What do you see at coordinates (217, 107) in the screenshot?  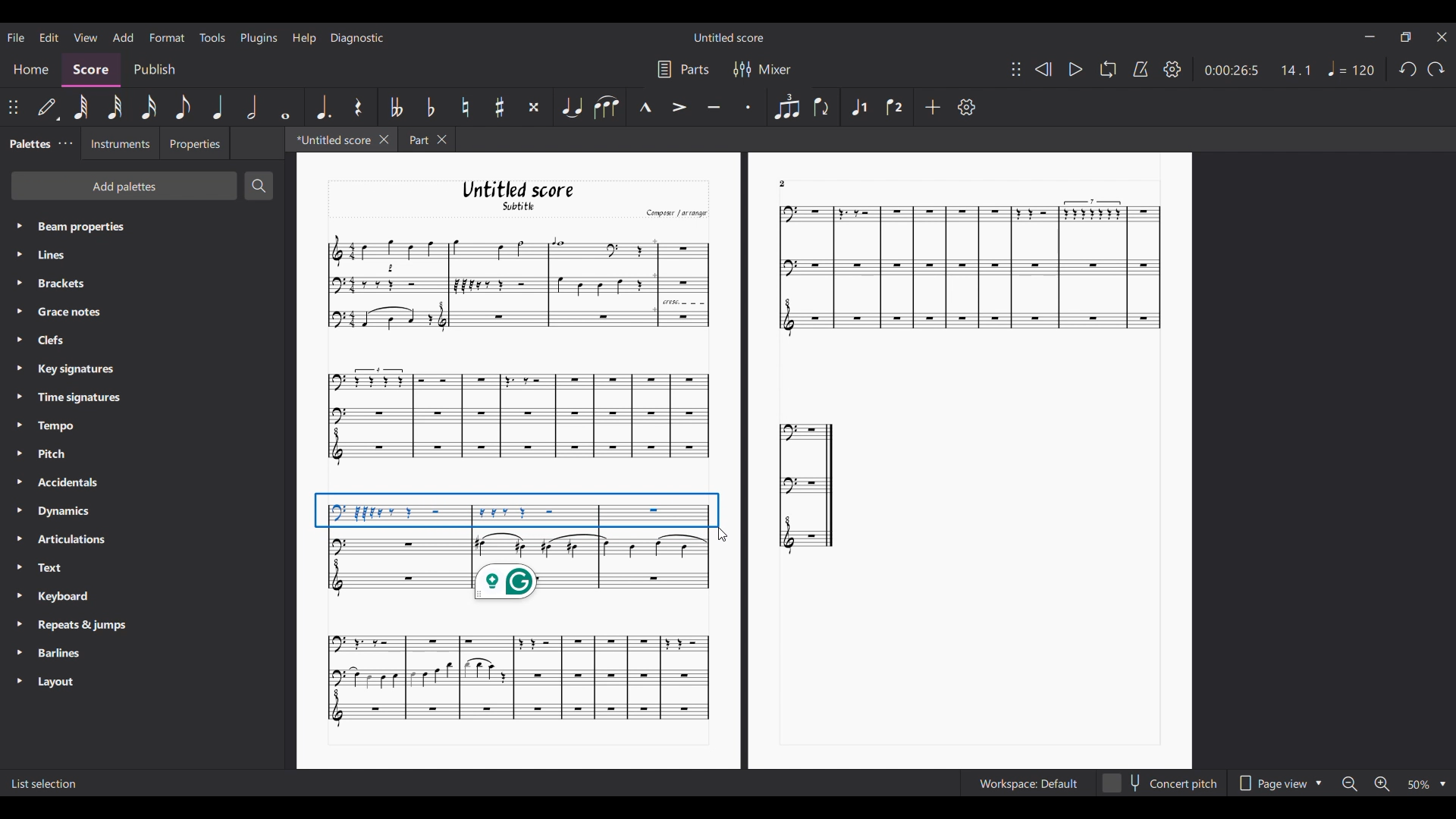 I see `Quarter note` at bounding box center [217, 107].